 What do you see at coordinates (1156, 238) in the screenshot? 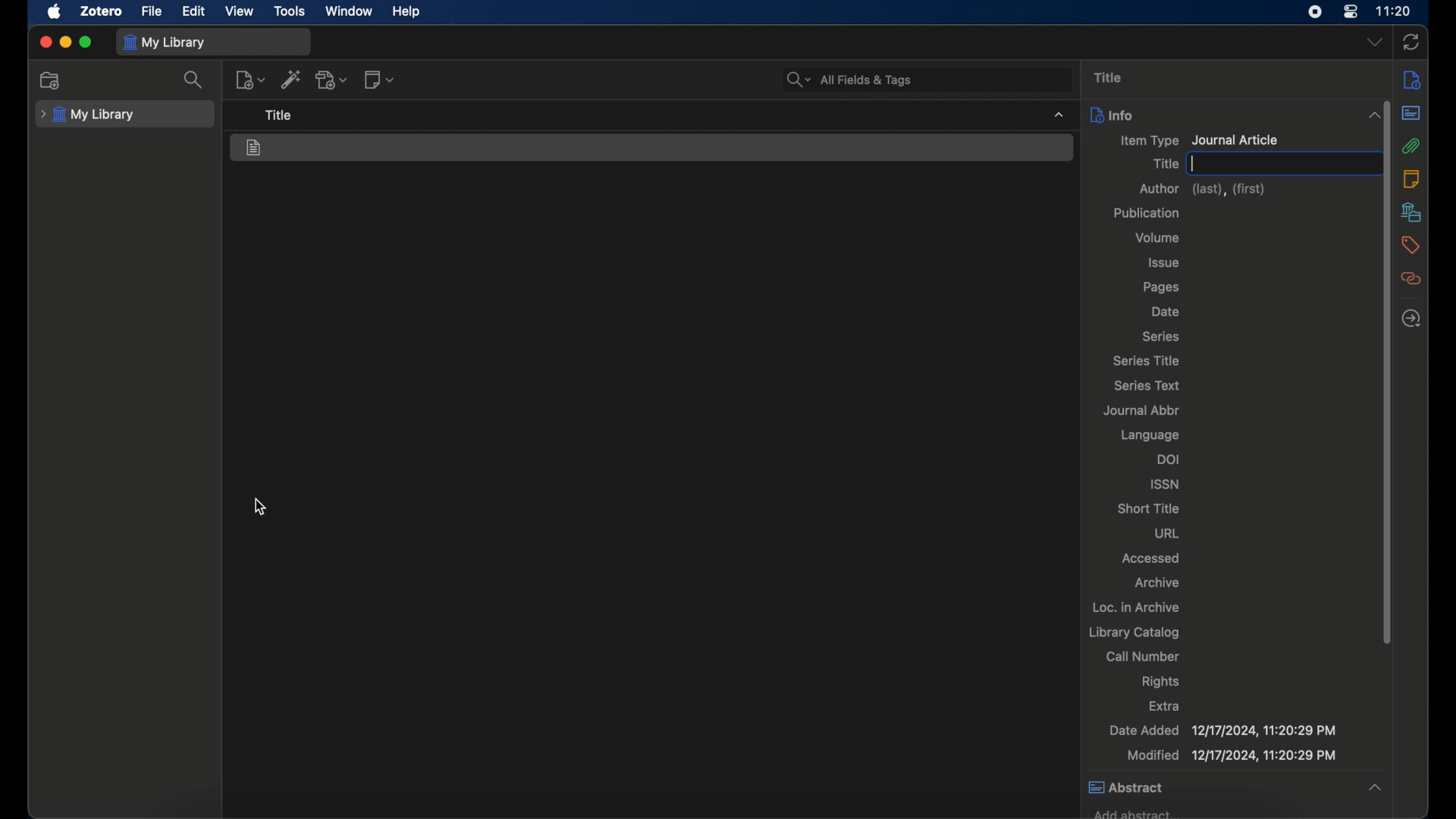
I see `volume` at bounding box center [1156, 238].